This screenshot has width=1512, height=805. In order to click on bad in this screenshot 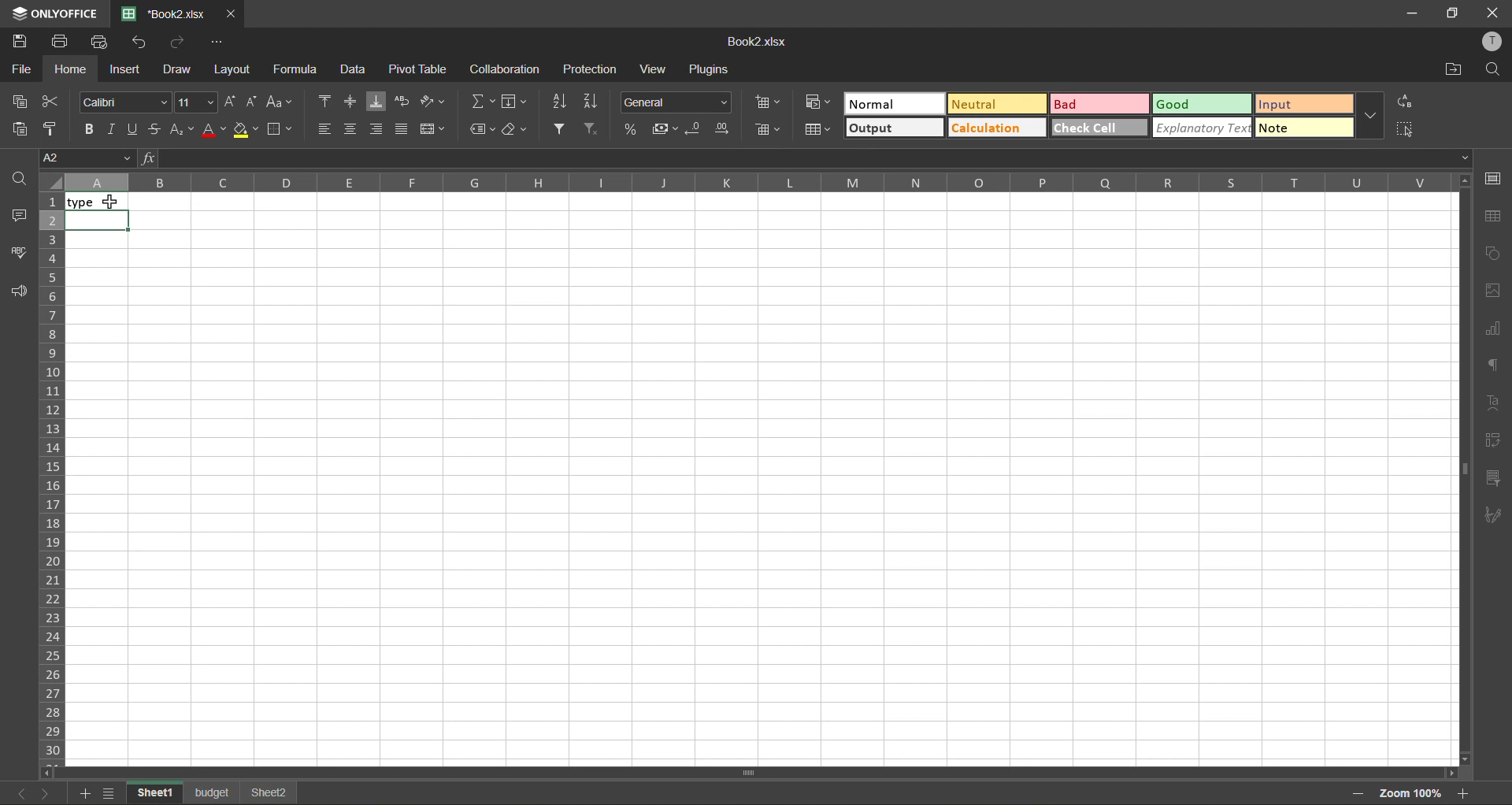, I will do `click(1100, 104)`.